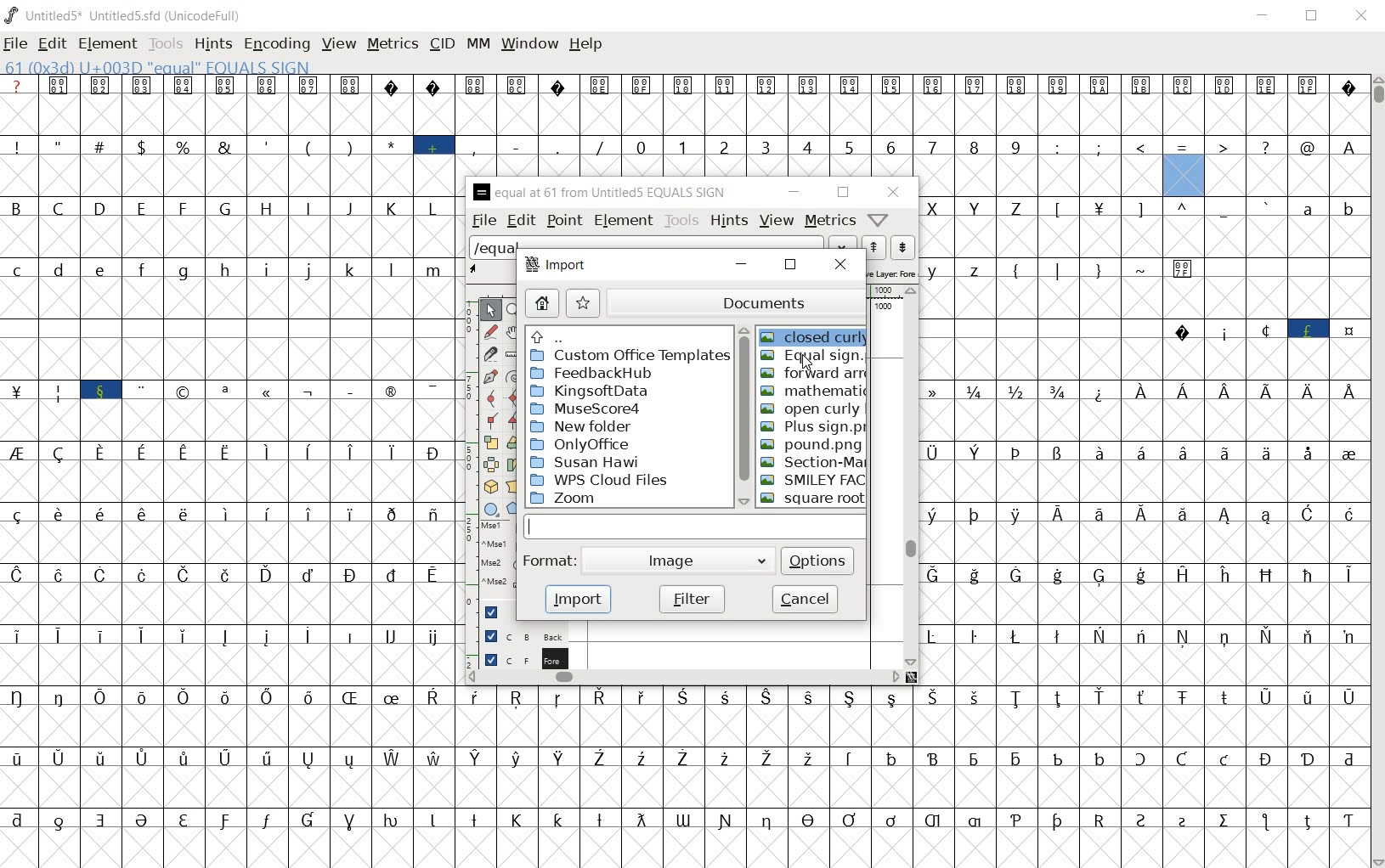 Image resolution: width=1385 pixels, height=868 pixels. I want to click on cursor, so click(806, 362).